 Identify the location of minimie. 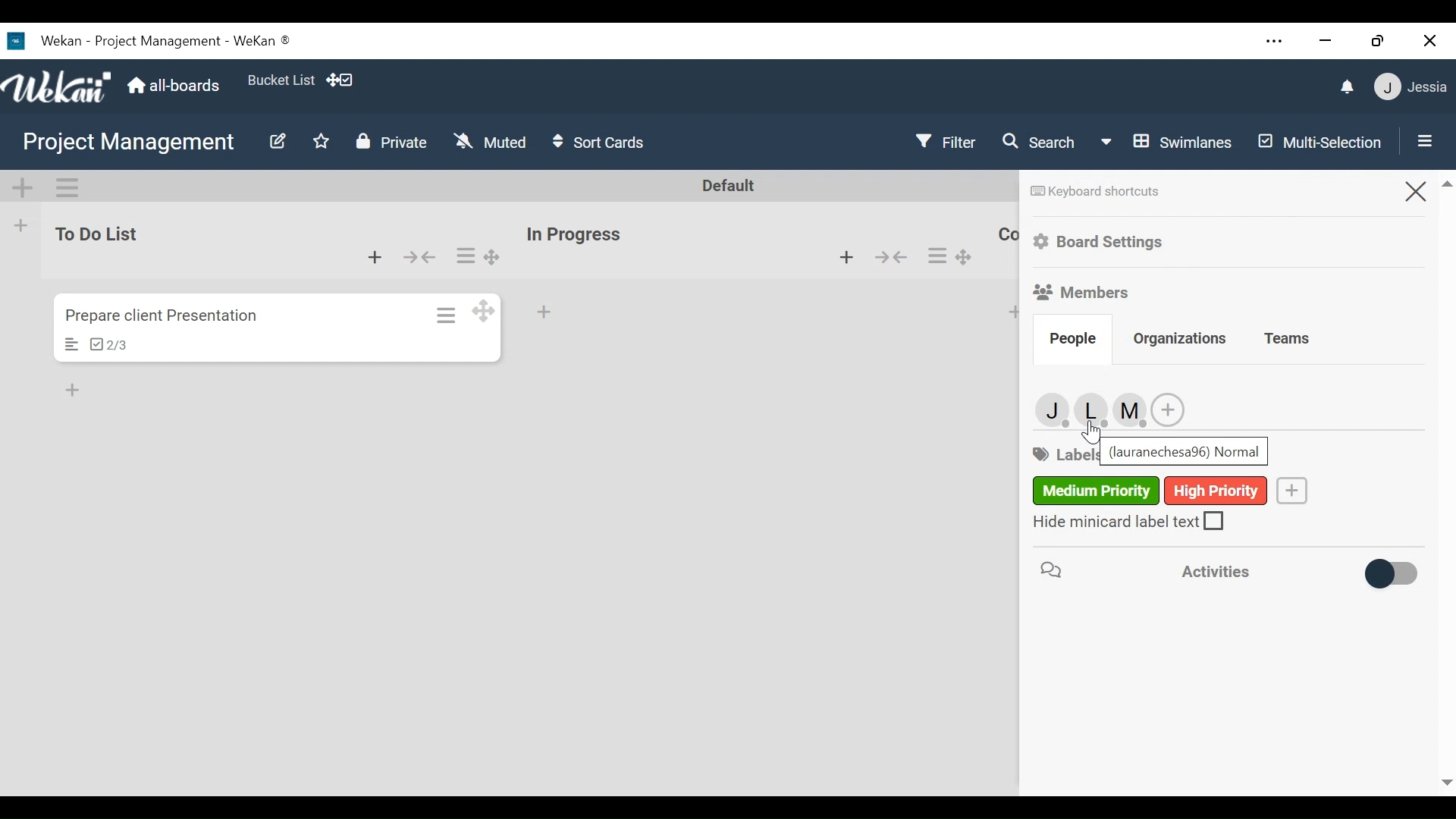
(1325, 41).